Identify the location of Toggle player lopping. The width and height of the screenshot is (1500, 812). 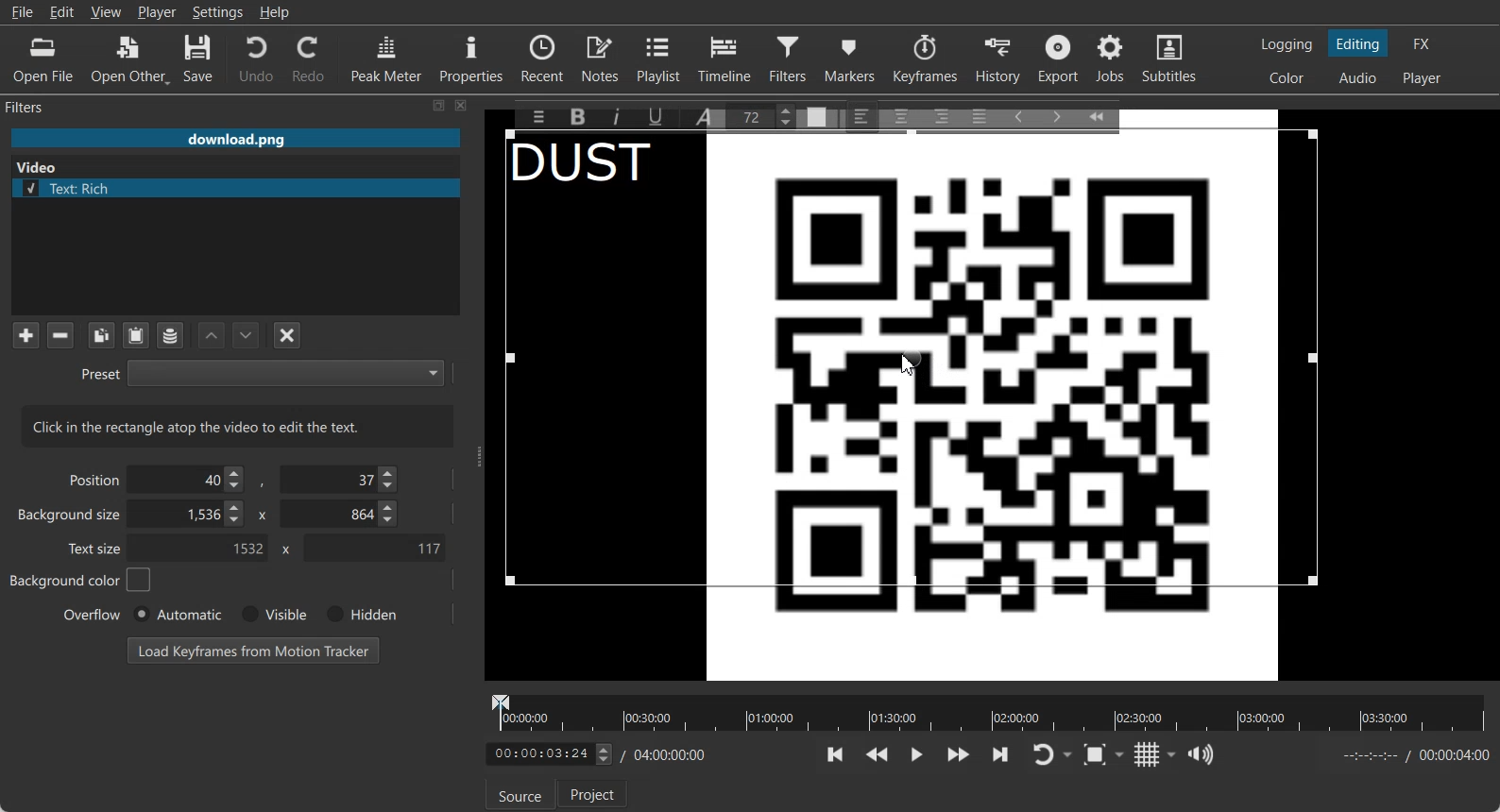
(1040, 755).